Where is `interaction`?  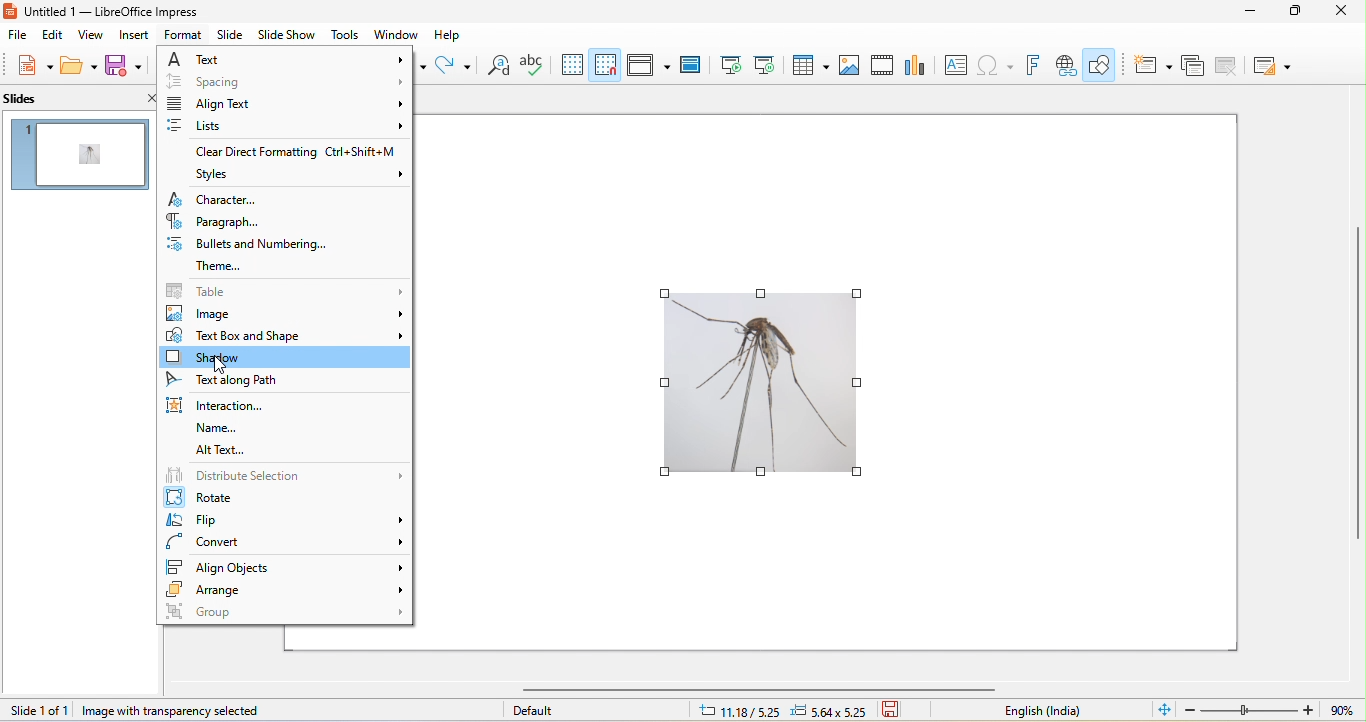
interaction is located at coordinates (216, 405).